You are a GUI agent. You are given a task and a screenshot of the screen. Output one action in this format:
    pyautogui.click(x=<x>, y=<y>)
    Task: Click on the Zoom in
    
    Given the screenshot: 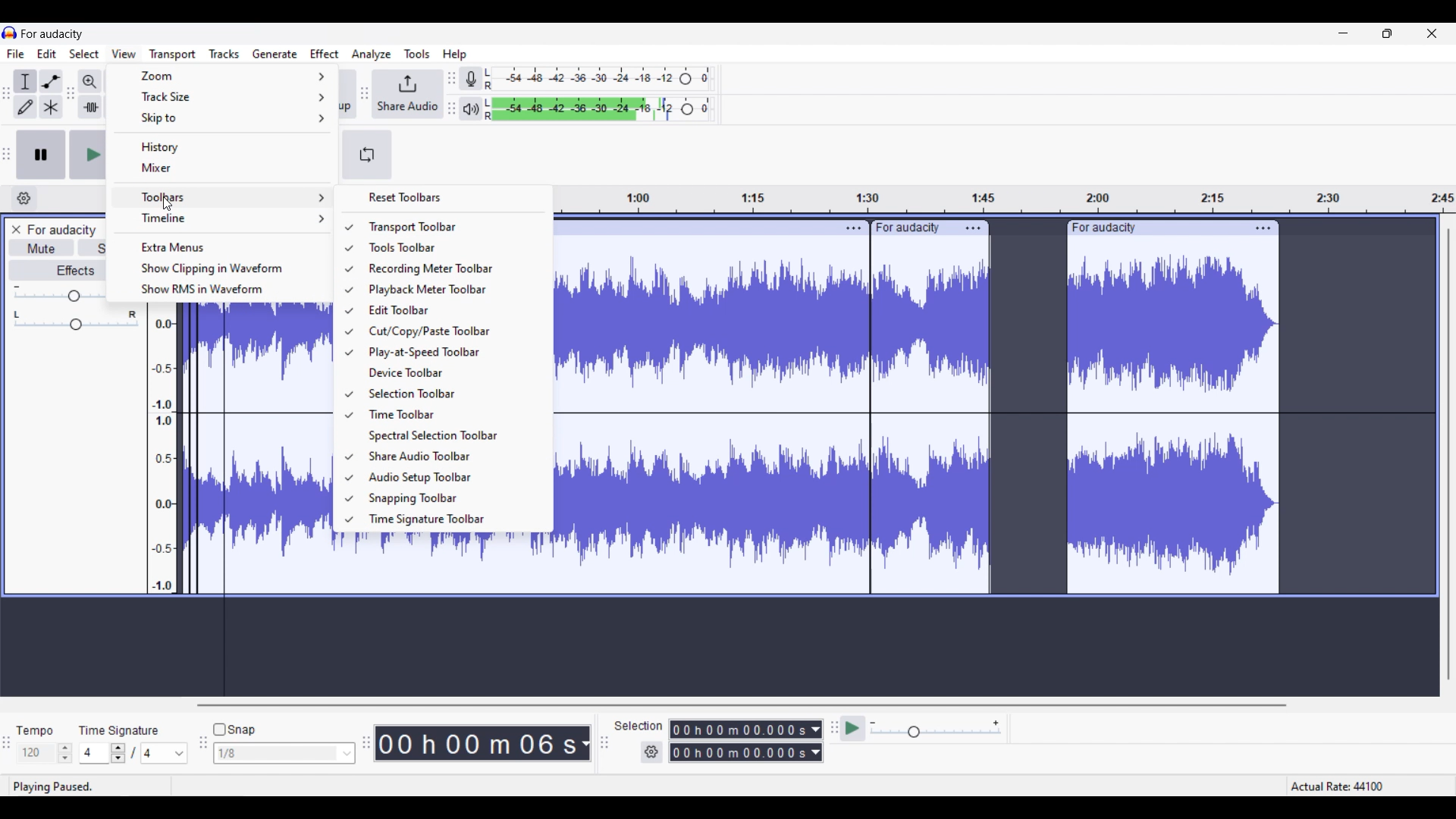 What is the action you would take?
    pyautogui.click(x=89, y=82)
    